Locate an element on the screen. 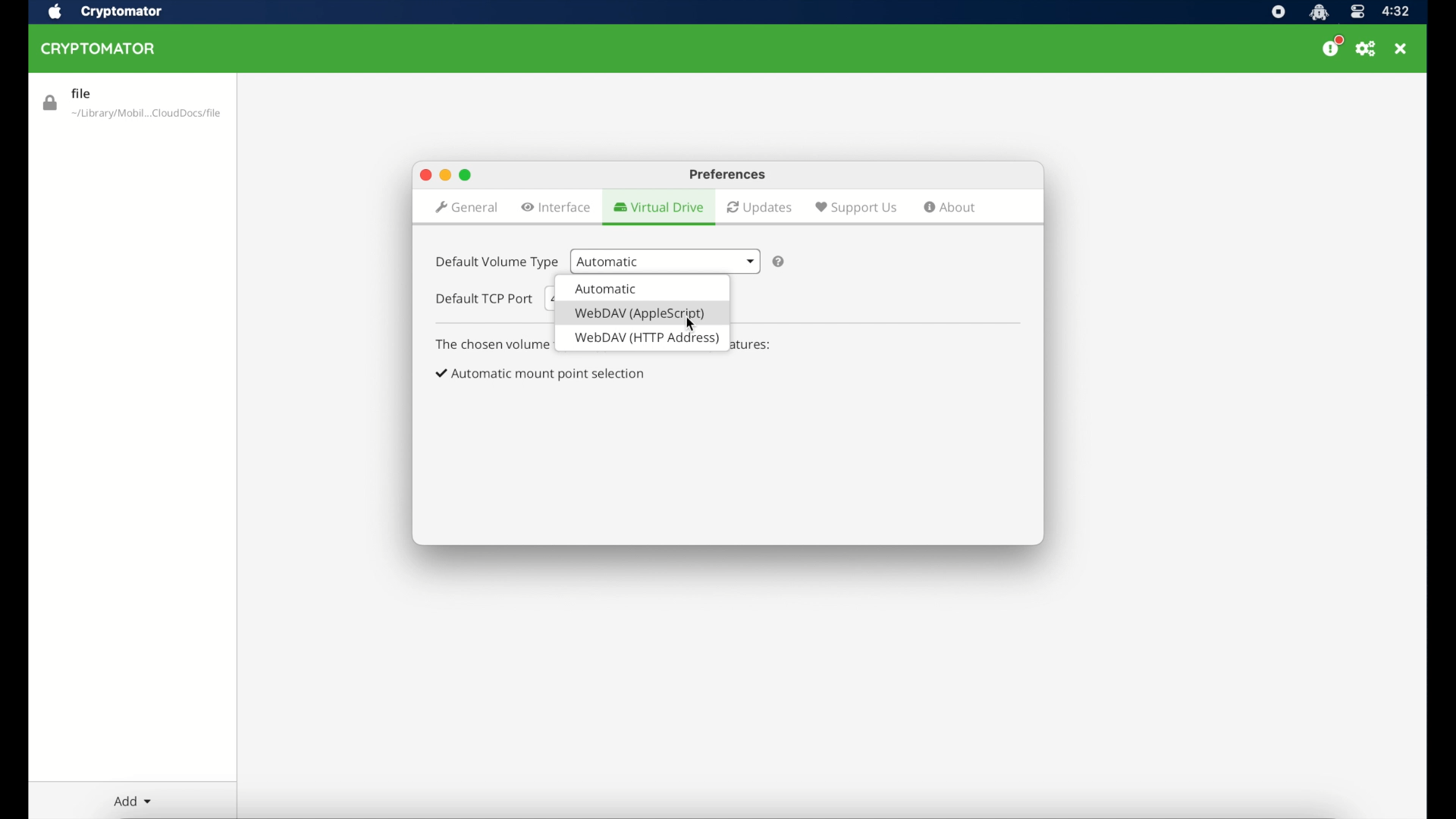 The height and width of the screenshot is (819, 1456). about is located at coordinates (950, 207).